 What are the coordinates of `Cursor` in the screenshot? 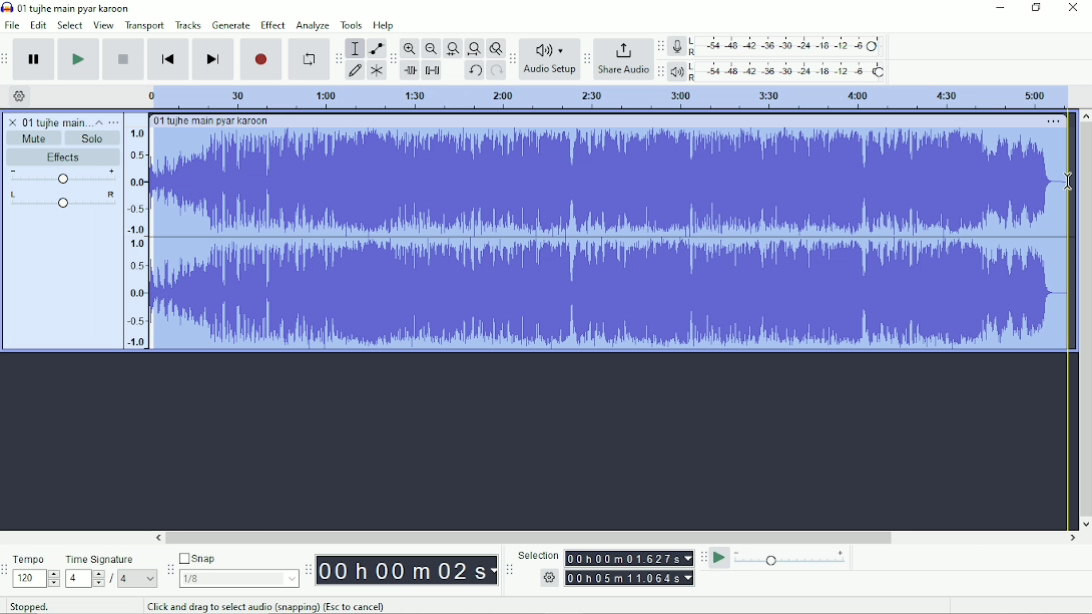 It's located at (1069, 183).